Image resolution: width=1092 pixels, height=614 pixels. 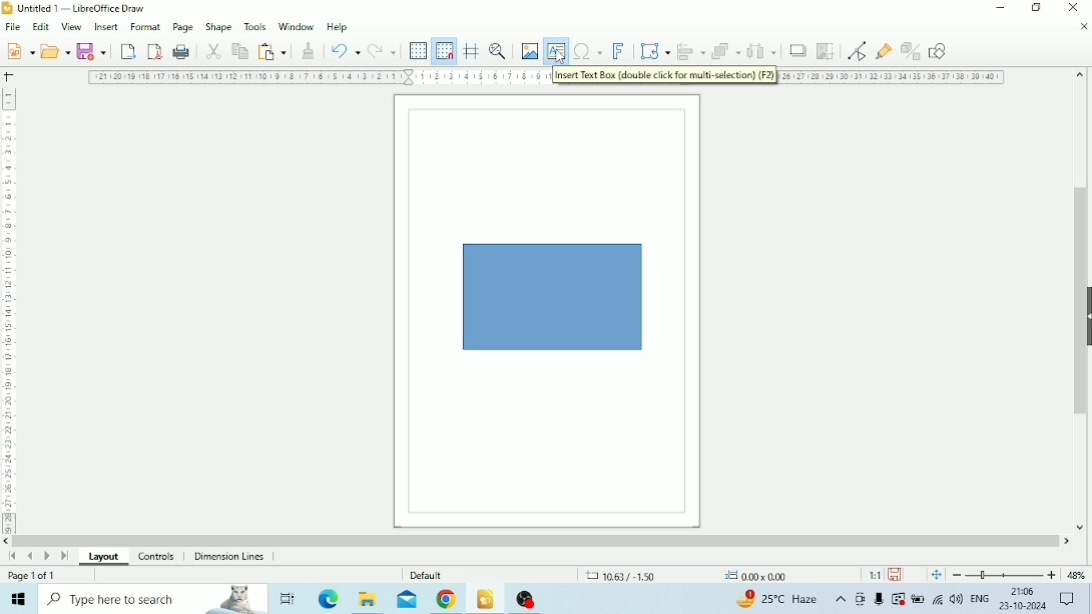 I want to click on Help, so click(x=338, y=28).